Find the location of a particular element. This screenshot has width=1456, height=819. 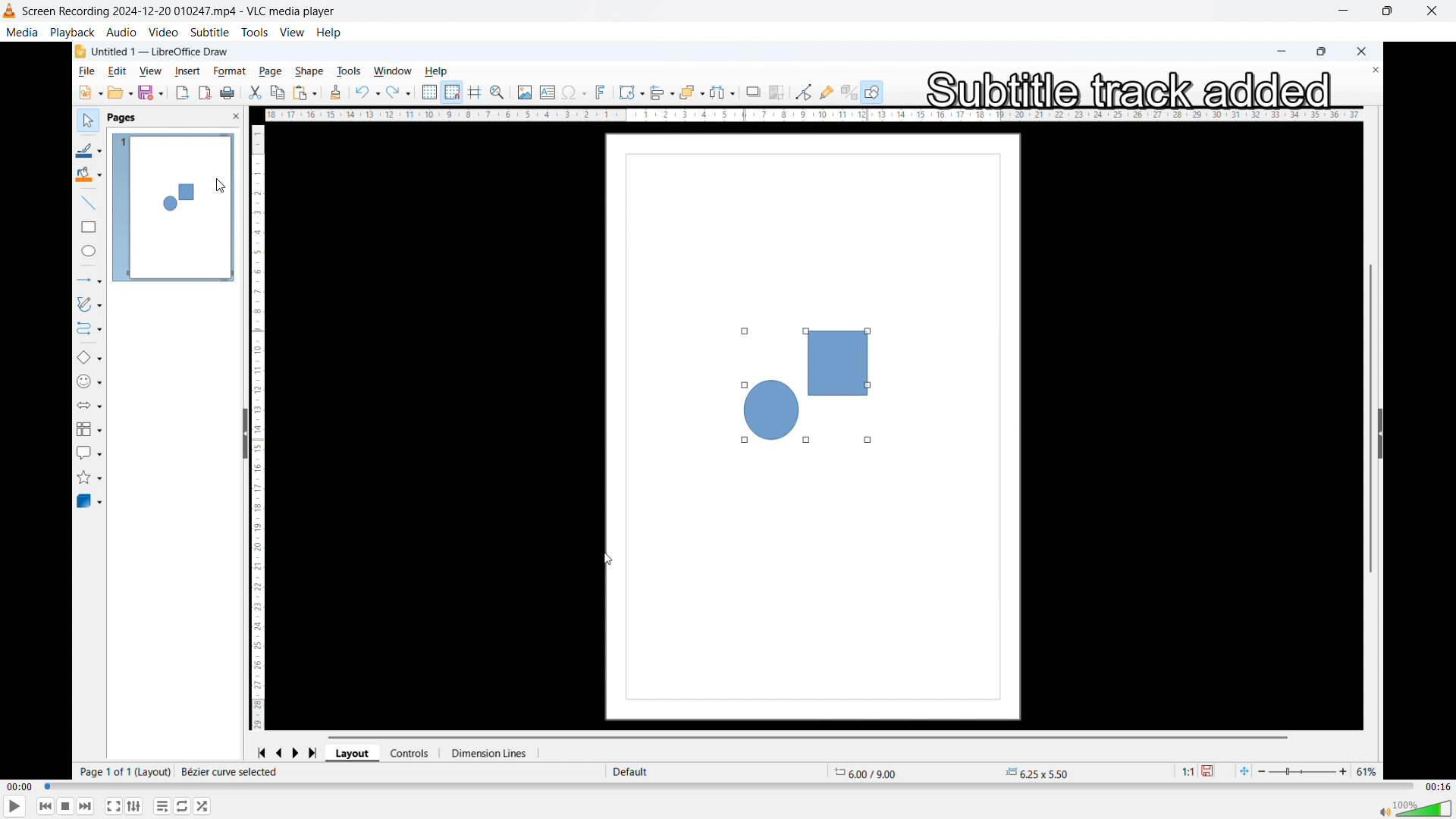

text box is located at coordinates (547, 90).